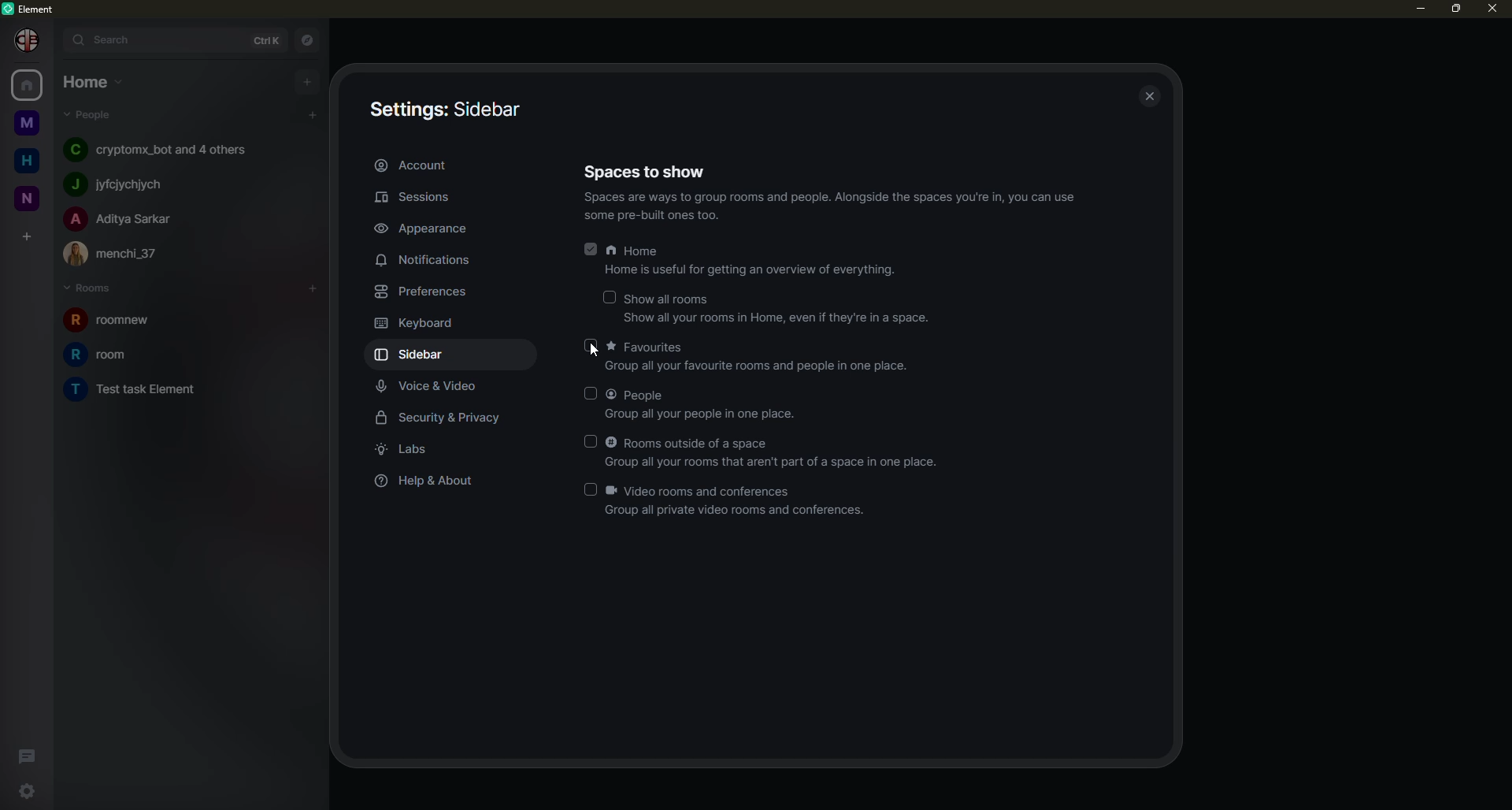 The image size is (1512, 810). Describe the element at coordinates (124, 184) in the screenshot. I see `people` at that location.